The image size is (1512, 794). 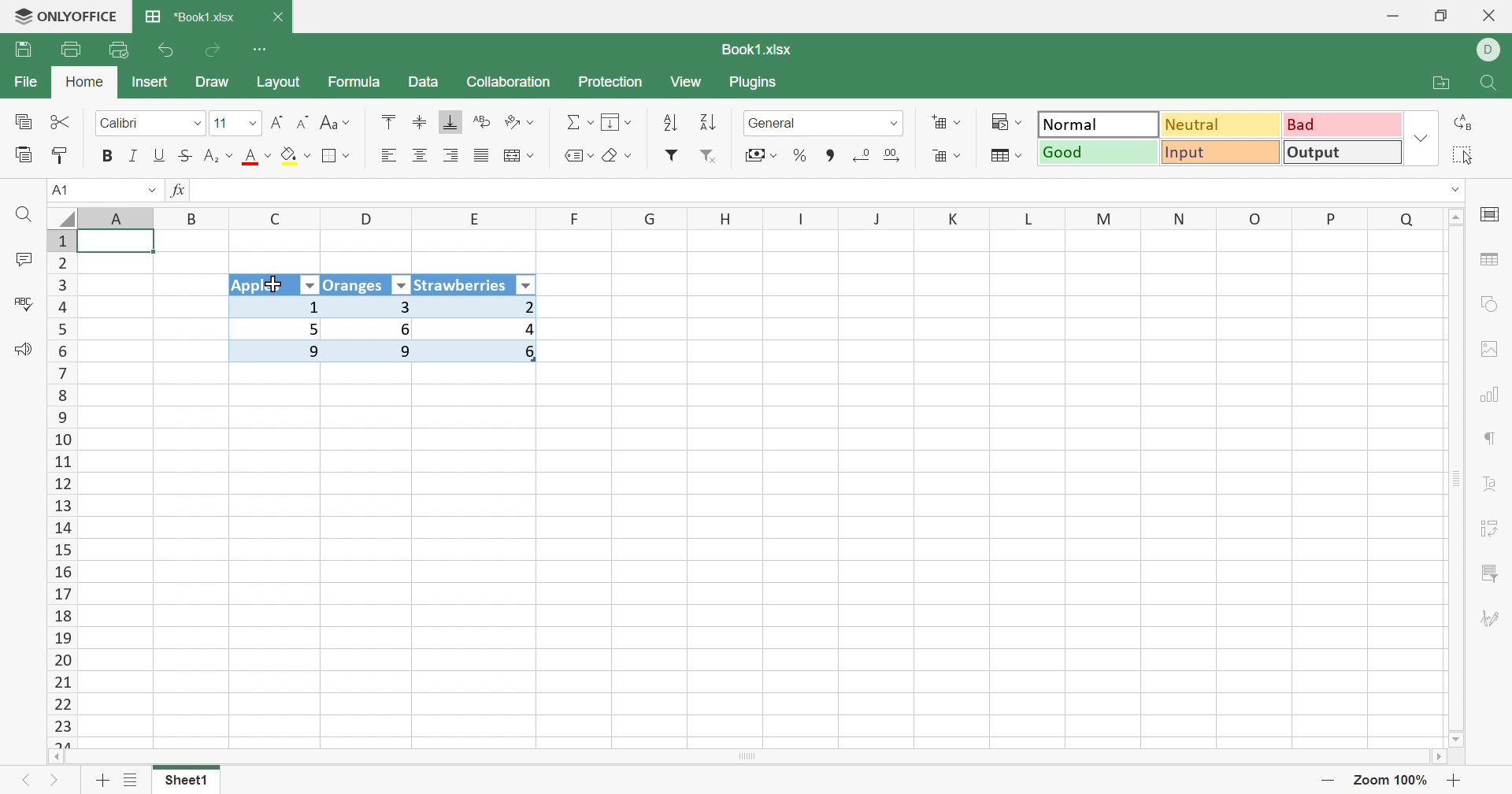 What do you see at coordinates (147, 191) in the screenshot?
I see `Drop down` at bounding box center [147, 191].